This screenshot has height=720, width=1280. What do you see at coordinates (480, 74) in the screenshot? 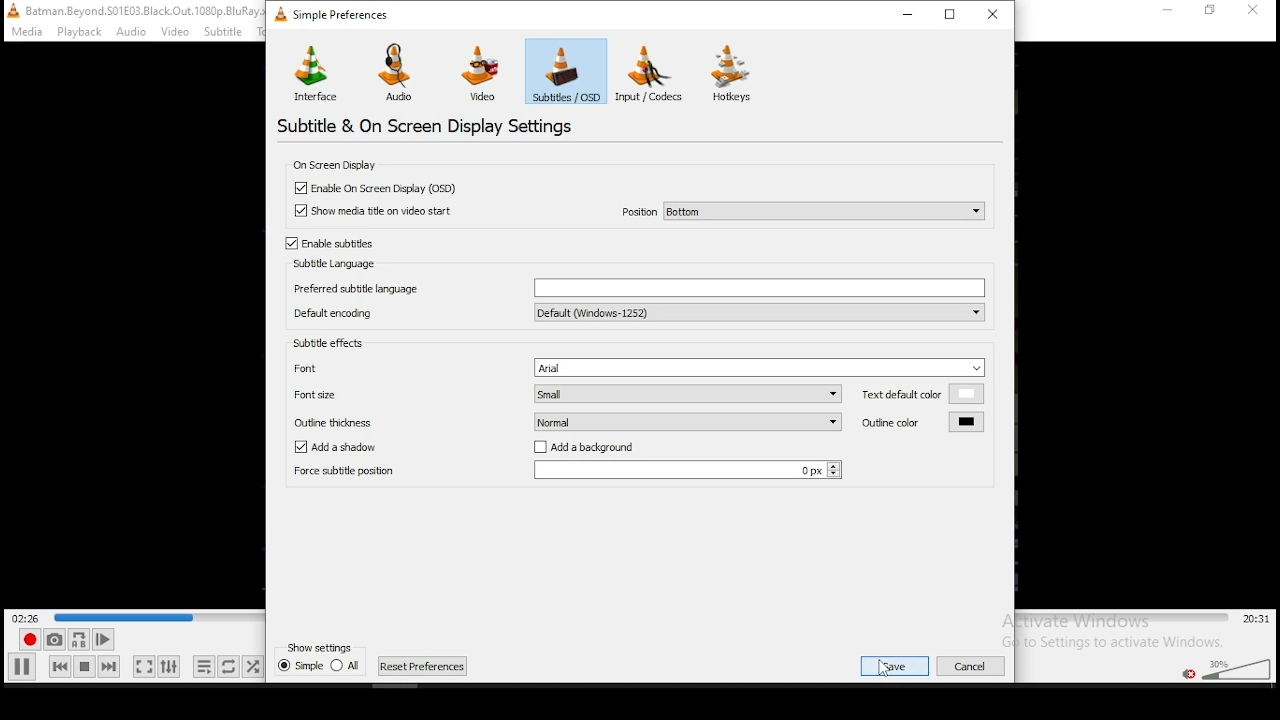
I see `video` at bounding box center [480, 74].